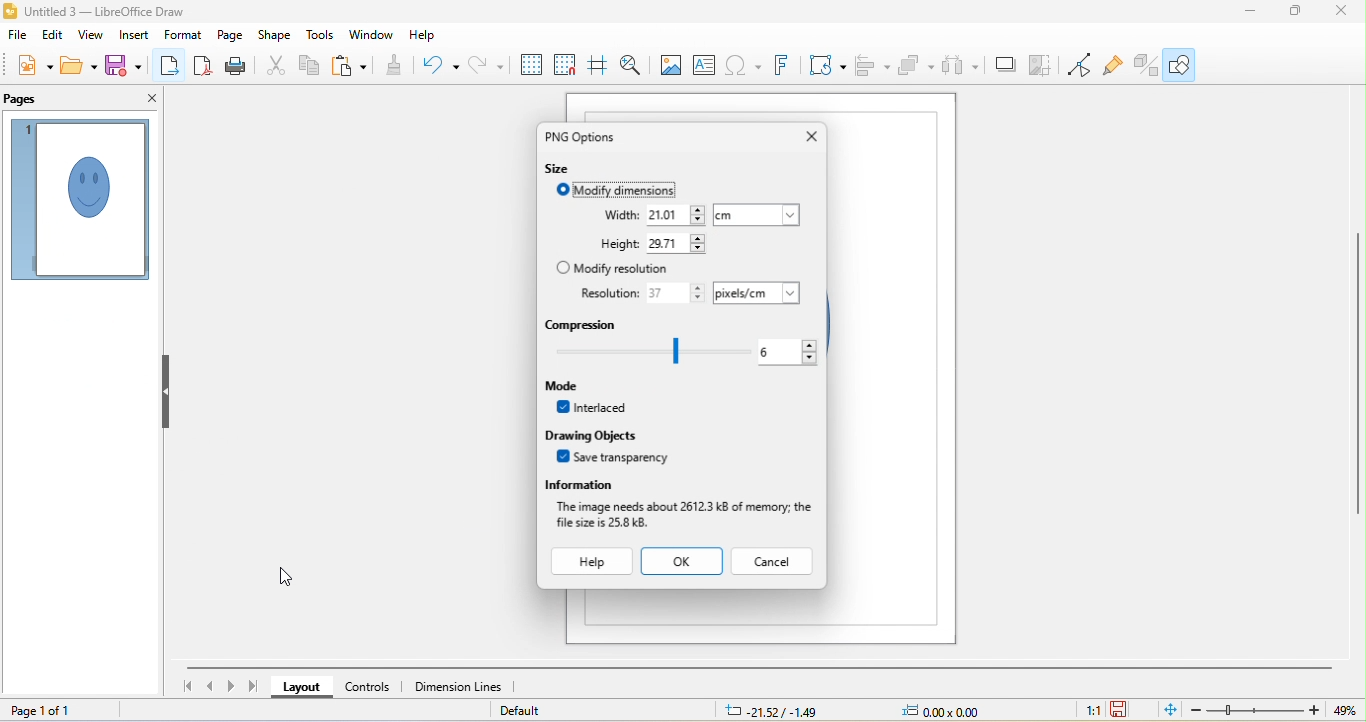 This screenshot has width=1366, height=722. What do you see at coordinates (89, 35) in the screenshot?
I see `view` at bounding box center [89, 35].